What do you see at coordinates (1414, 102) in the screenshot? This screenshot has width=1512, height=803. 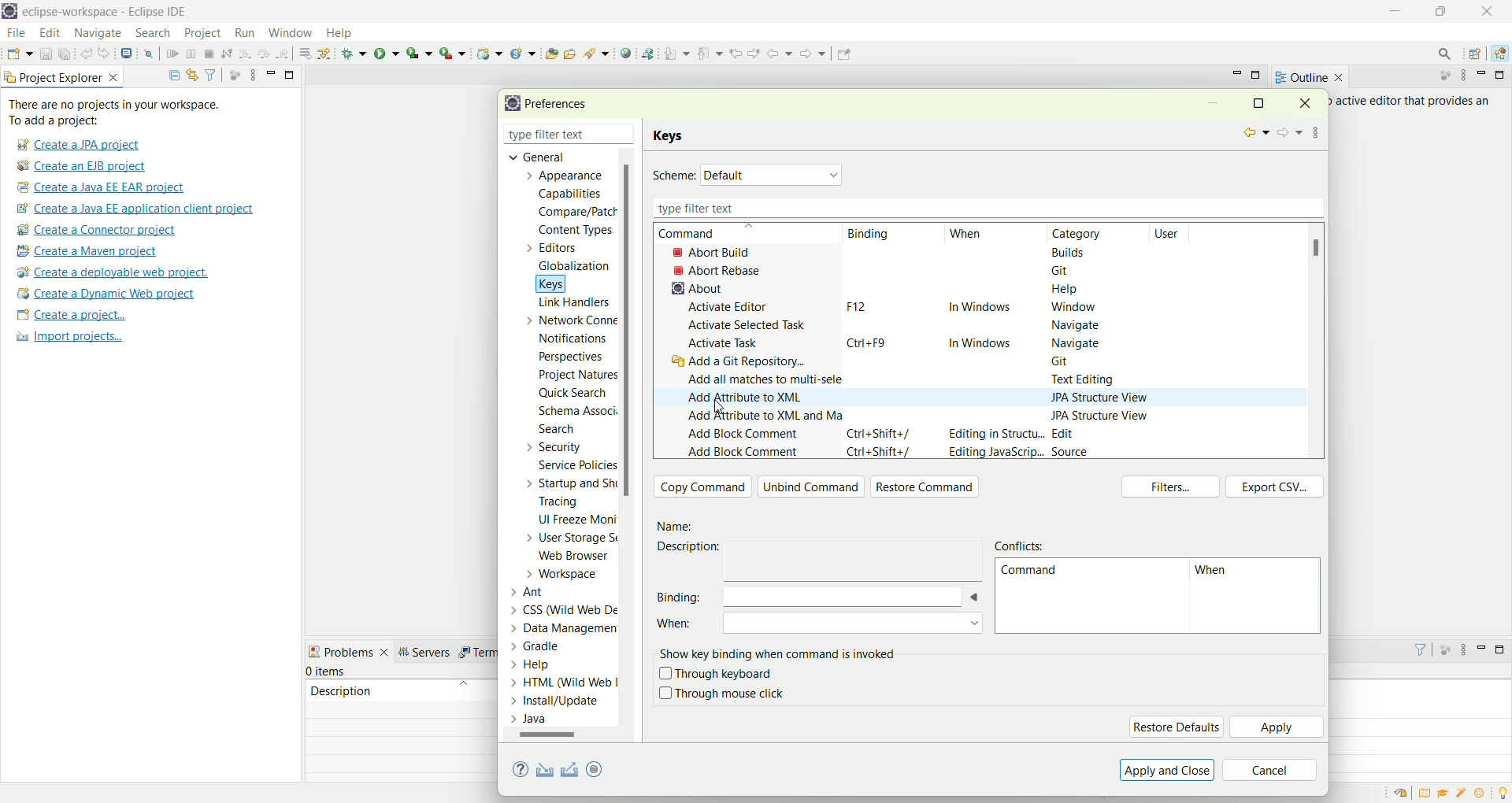 I see ` active editor that provides an outline` at bounding box center [1414, 102].